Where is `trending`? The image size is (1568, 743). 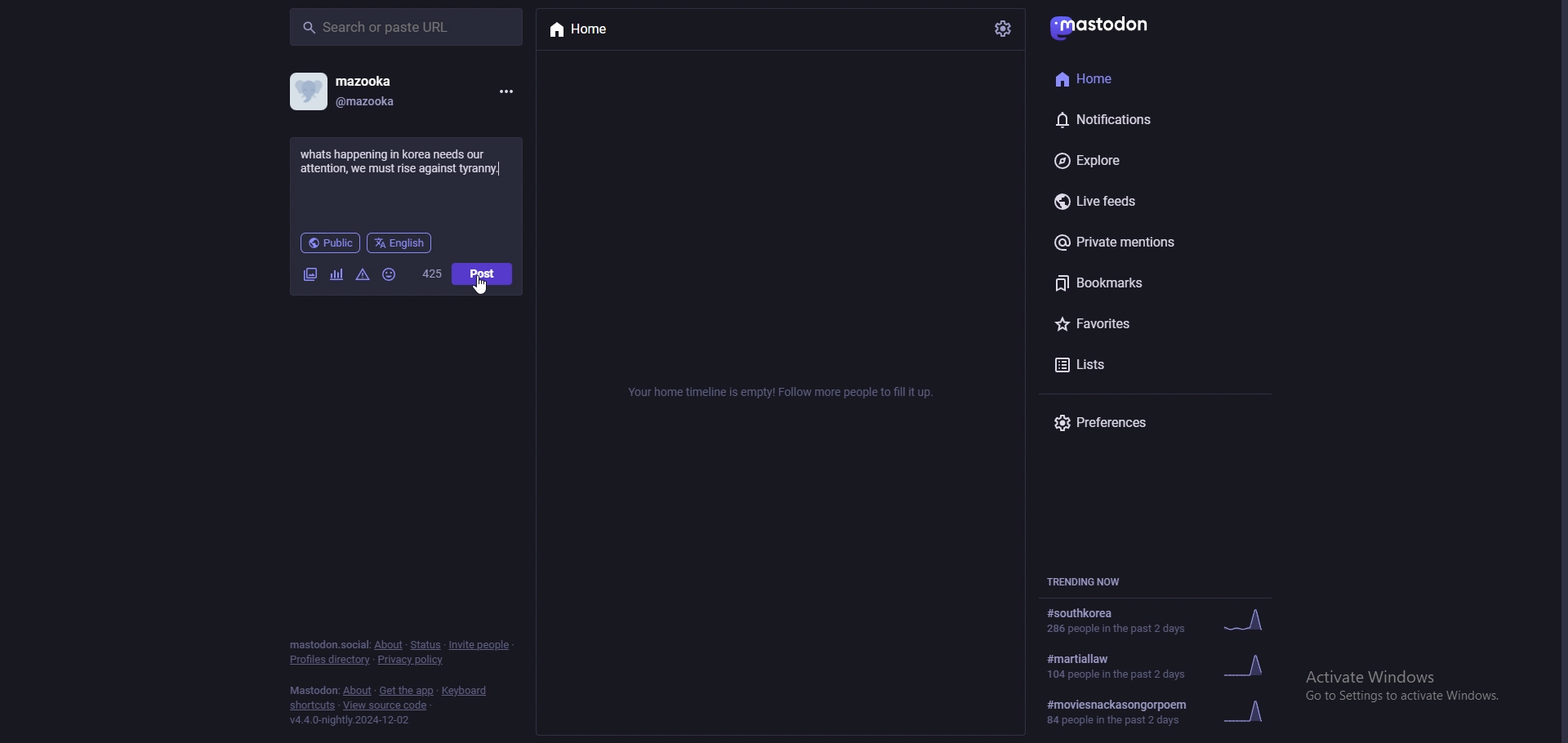 trending is located at coordinates (1160, 712).